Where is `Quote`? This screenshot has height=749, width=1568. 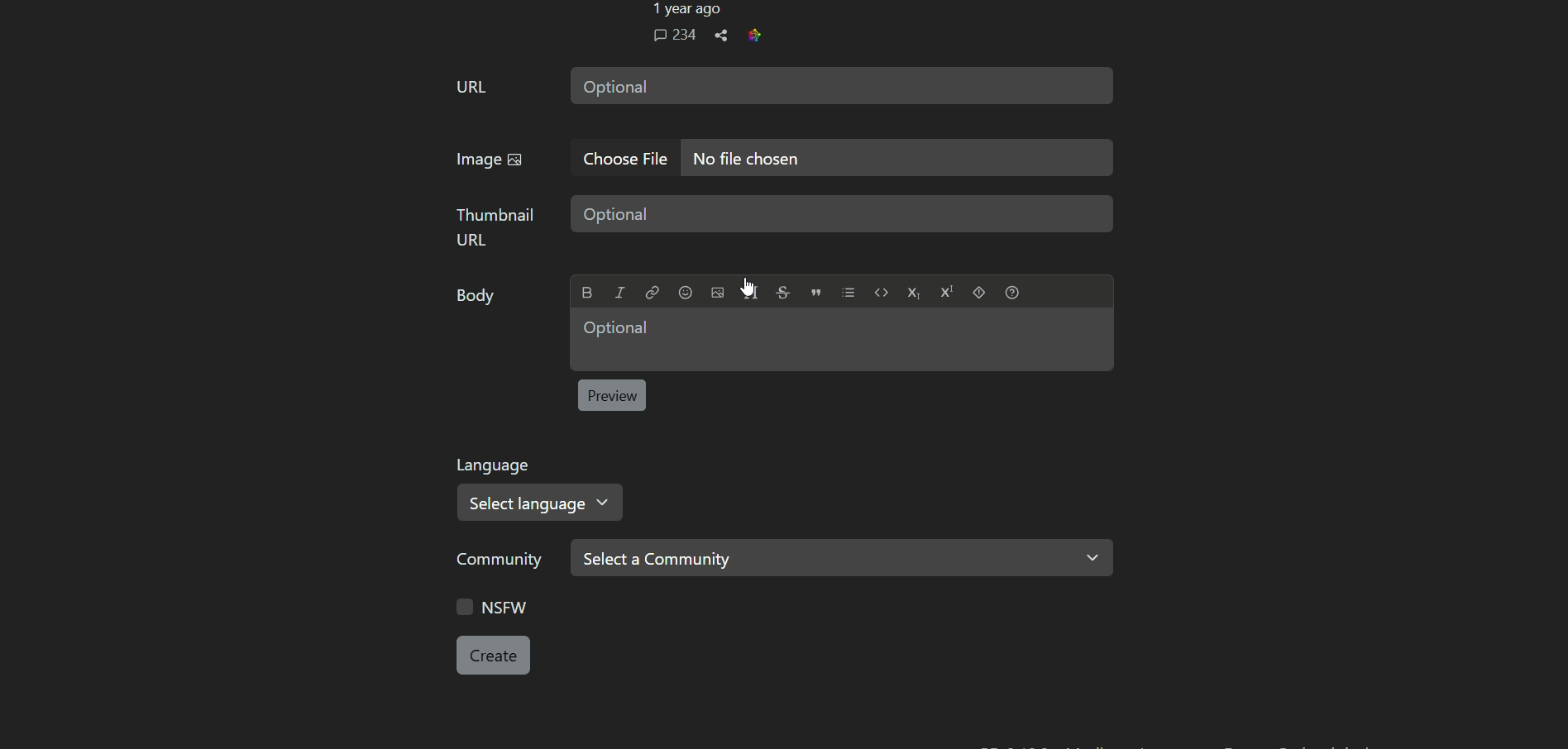
Quote is located at coordinates (816, 292).